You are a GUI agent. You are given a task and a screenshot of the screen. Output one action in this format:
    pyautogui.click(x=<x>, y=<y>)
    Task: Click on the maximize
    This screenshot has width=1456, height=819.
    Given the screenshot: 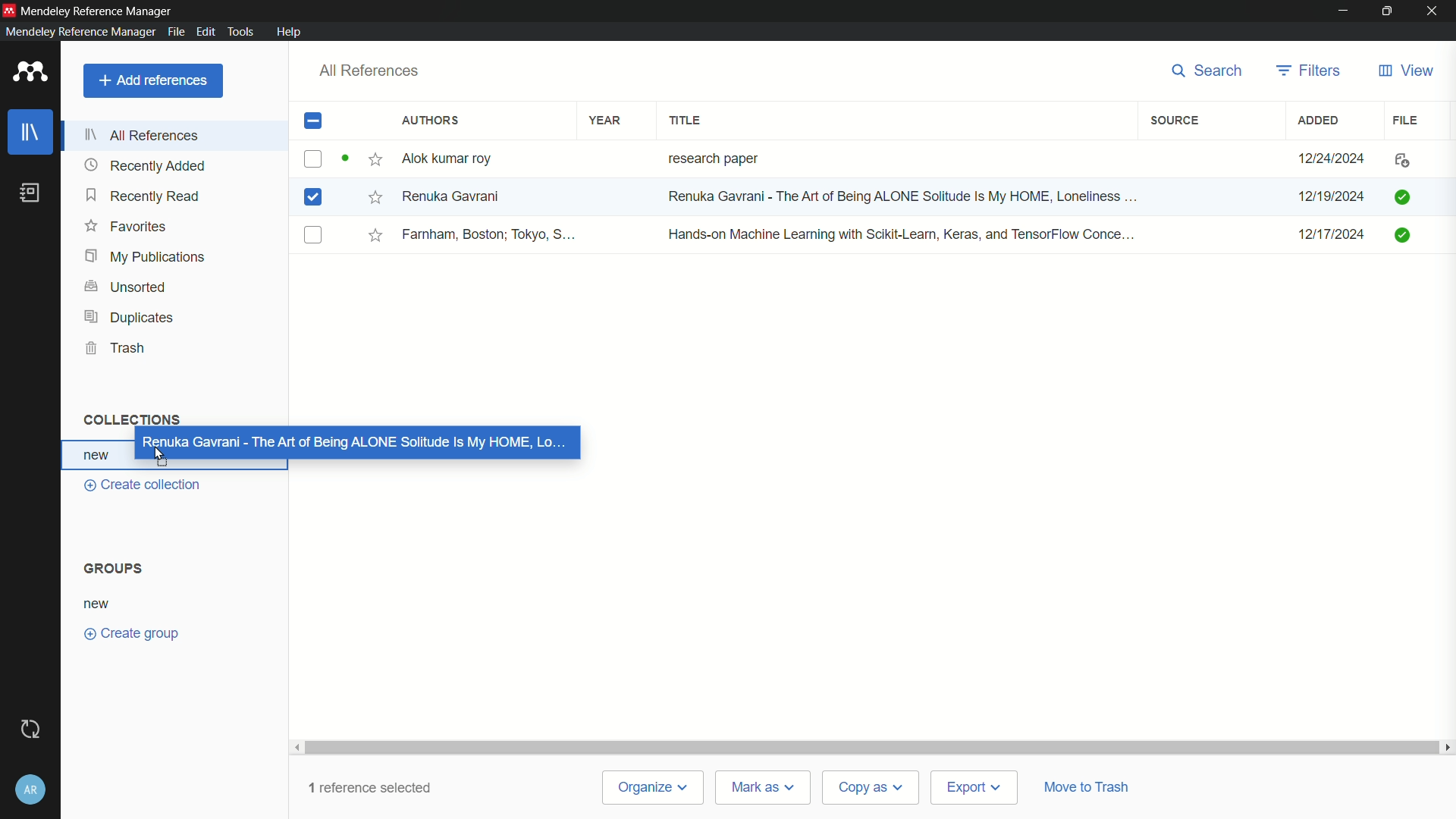 What is the action you would take?
    pyautogui.click(x=1385, y=11)
    